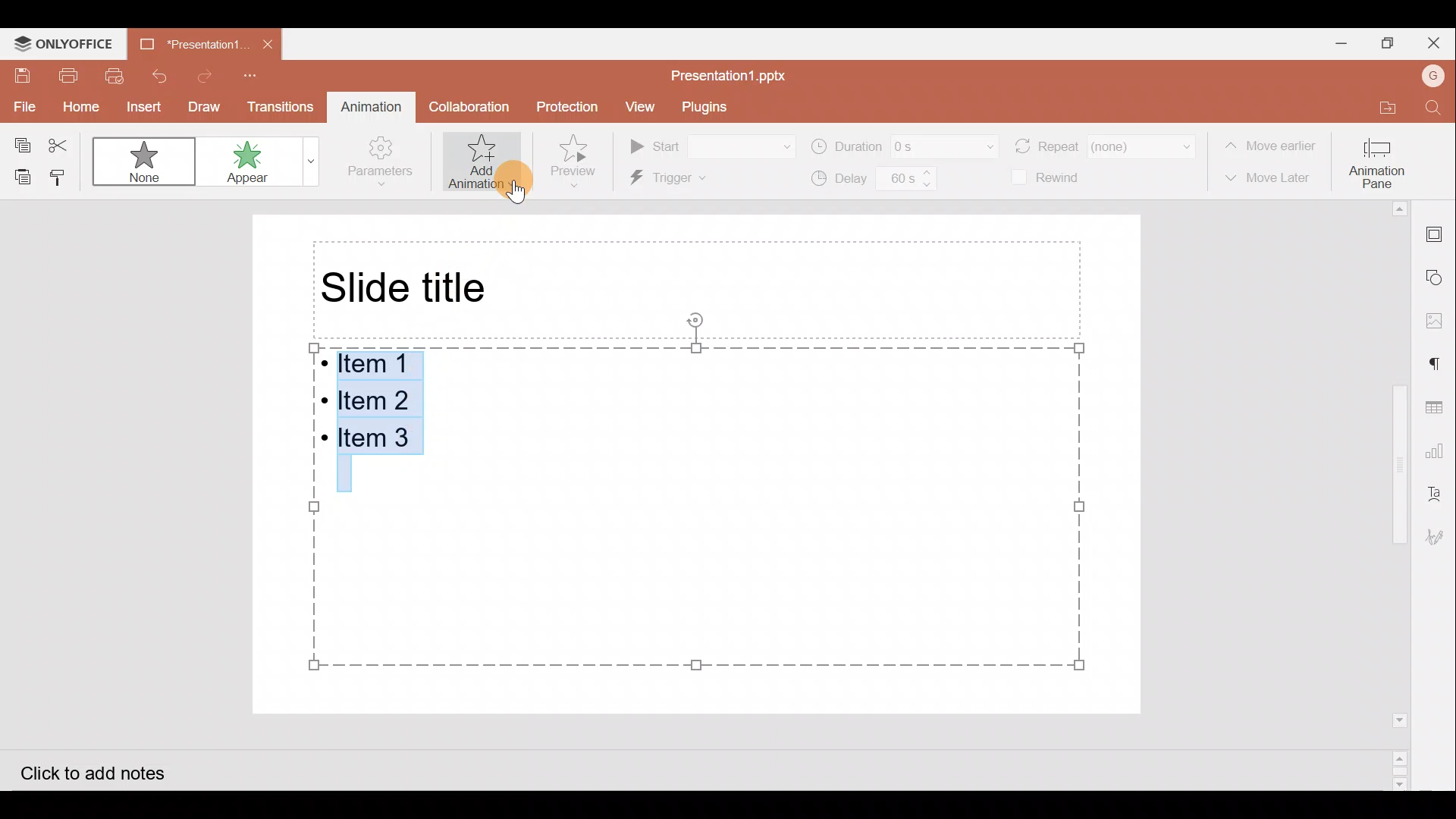  I want to click on Minimize, so click(1329, 43).